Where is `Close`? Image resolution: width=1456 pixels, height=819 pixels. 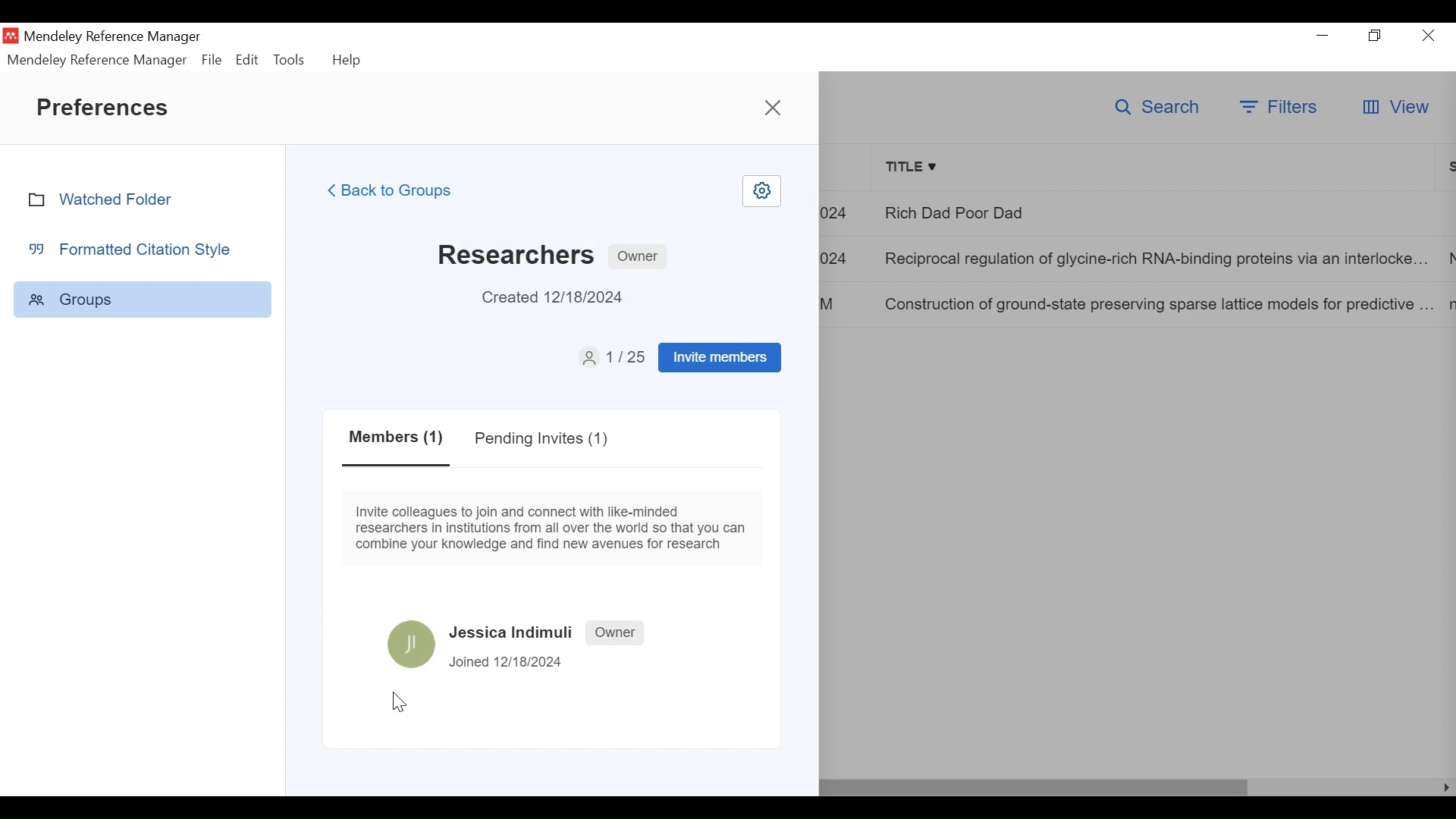
Close is located at coordinates (773, 105).